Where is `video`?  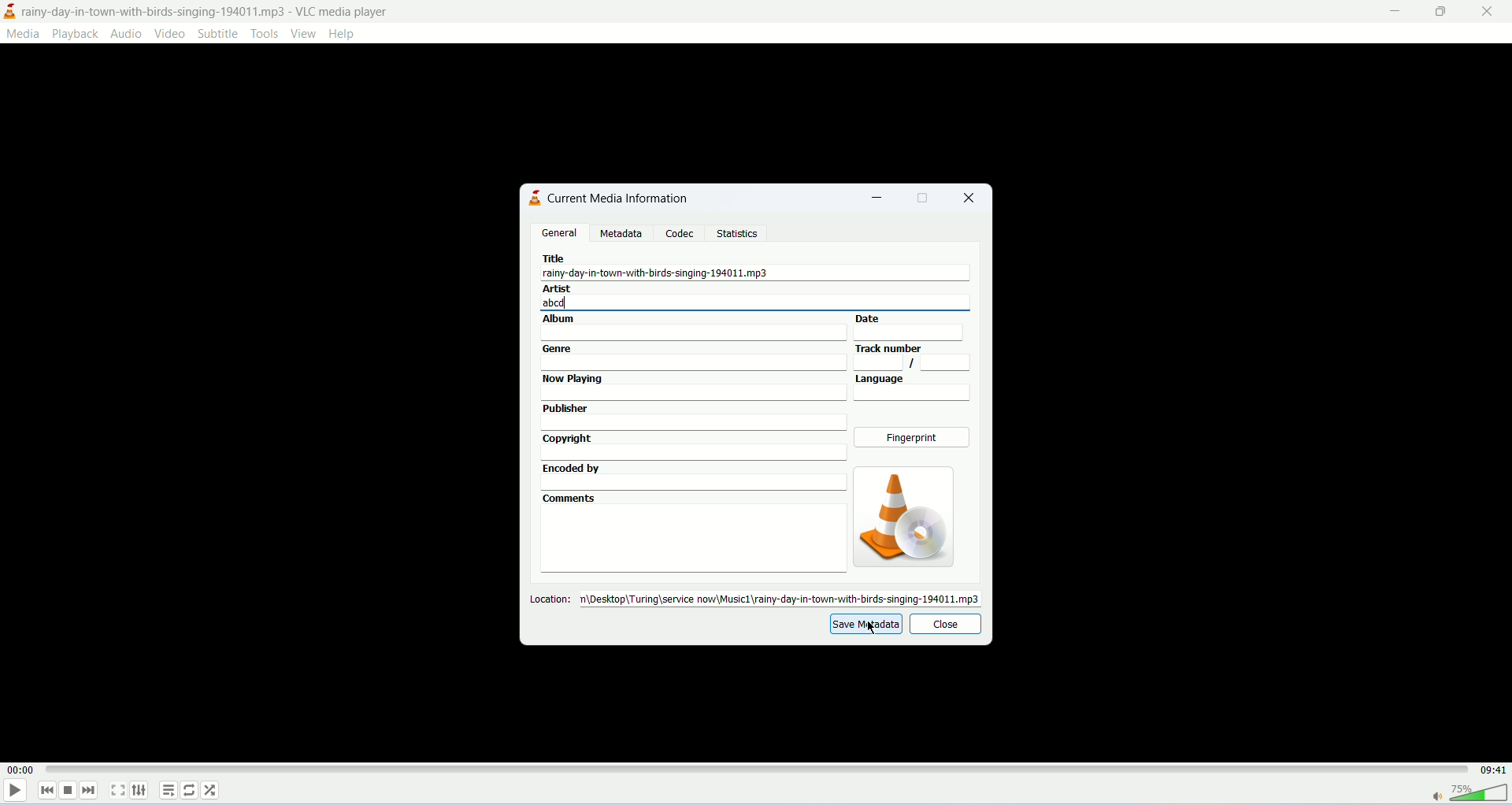 video is located at coordinates (171, 34).